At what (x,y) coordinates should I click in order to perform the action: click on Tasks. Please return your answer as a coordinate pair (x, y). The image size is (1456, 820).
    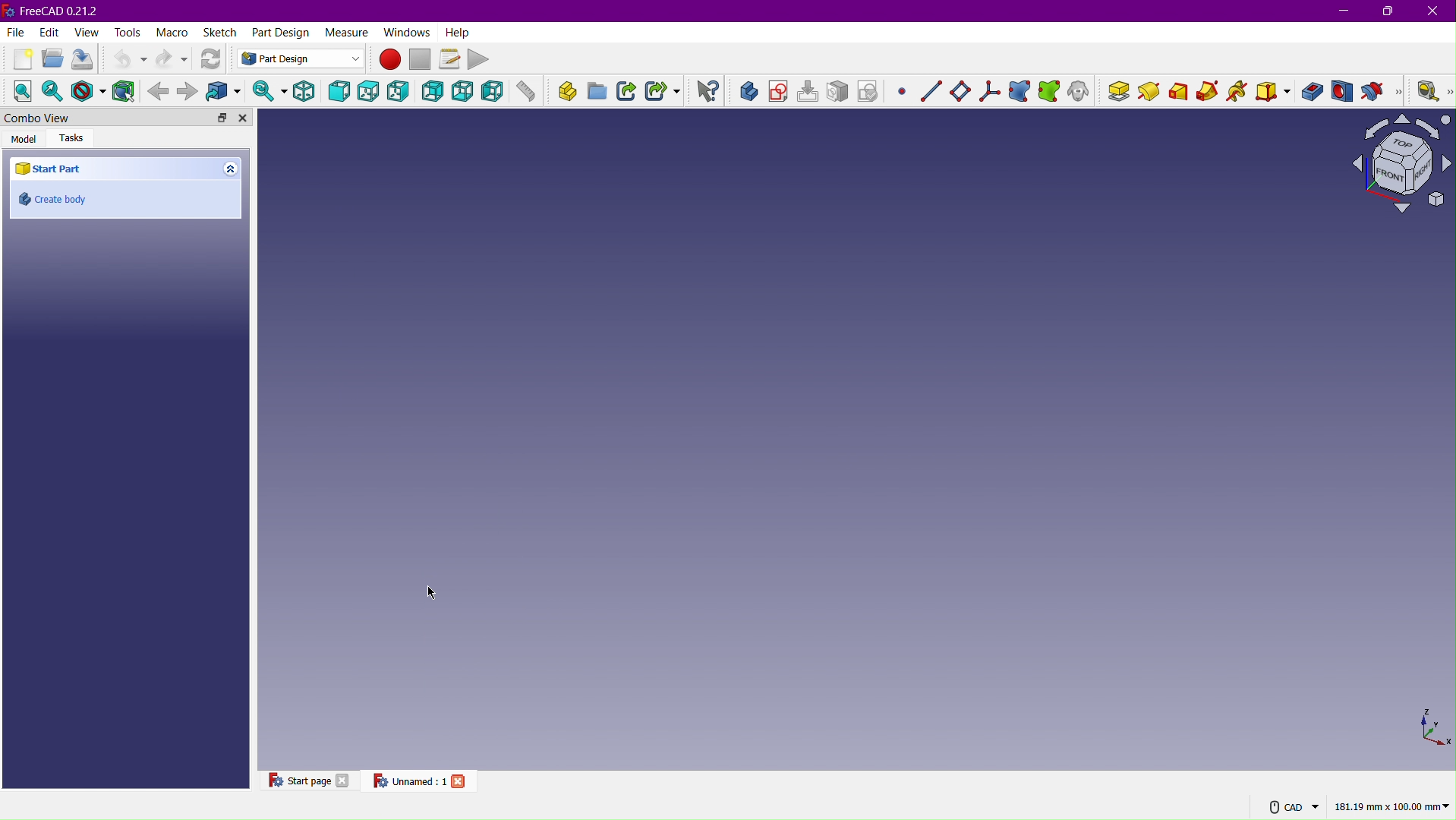
    Looking at the image, I should click on (75, 137).